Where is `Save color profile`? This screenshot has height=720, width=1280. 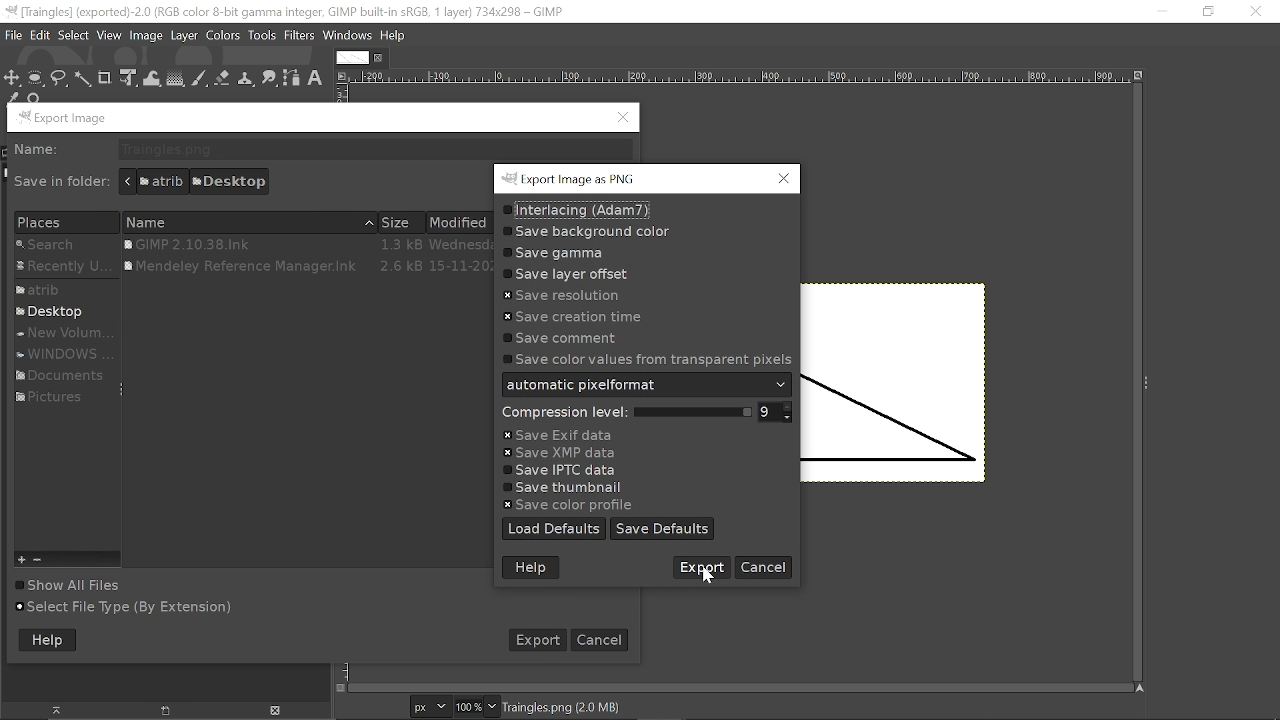 Save color profile is located at coordinates (565, 504).